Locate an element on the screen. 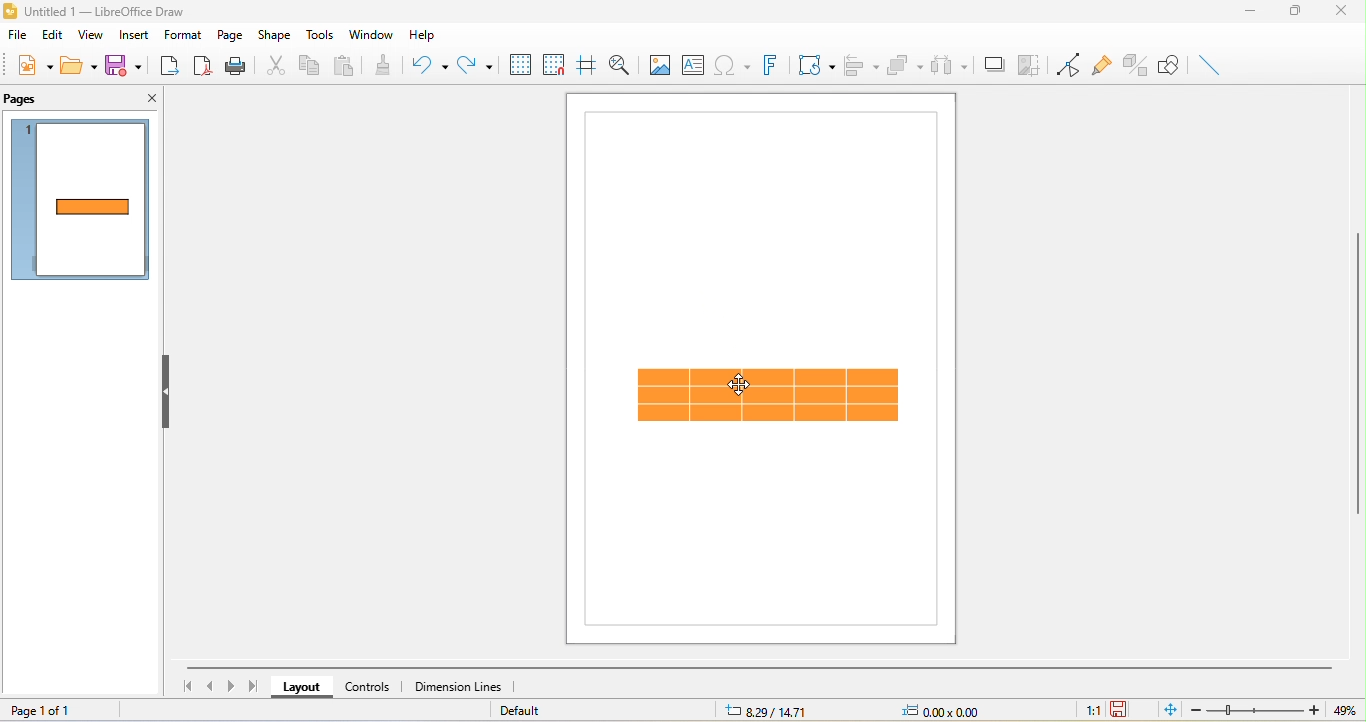 This screenshot has width=1366, height=722. view is located at coordinates (91, 36).